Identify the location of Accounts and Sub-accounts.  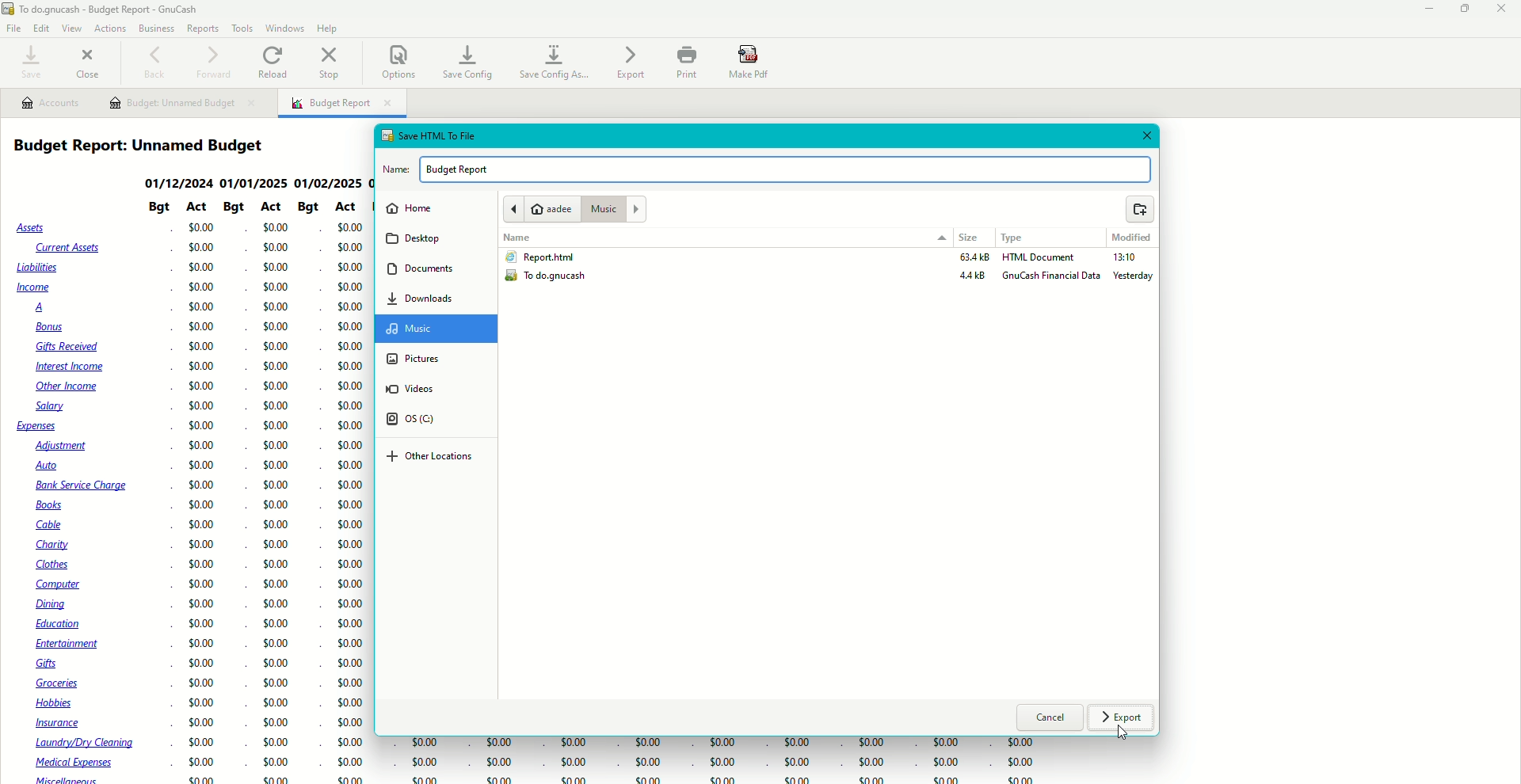
(79, 501).